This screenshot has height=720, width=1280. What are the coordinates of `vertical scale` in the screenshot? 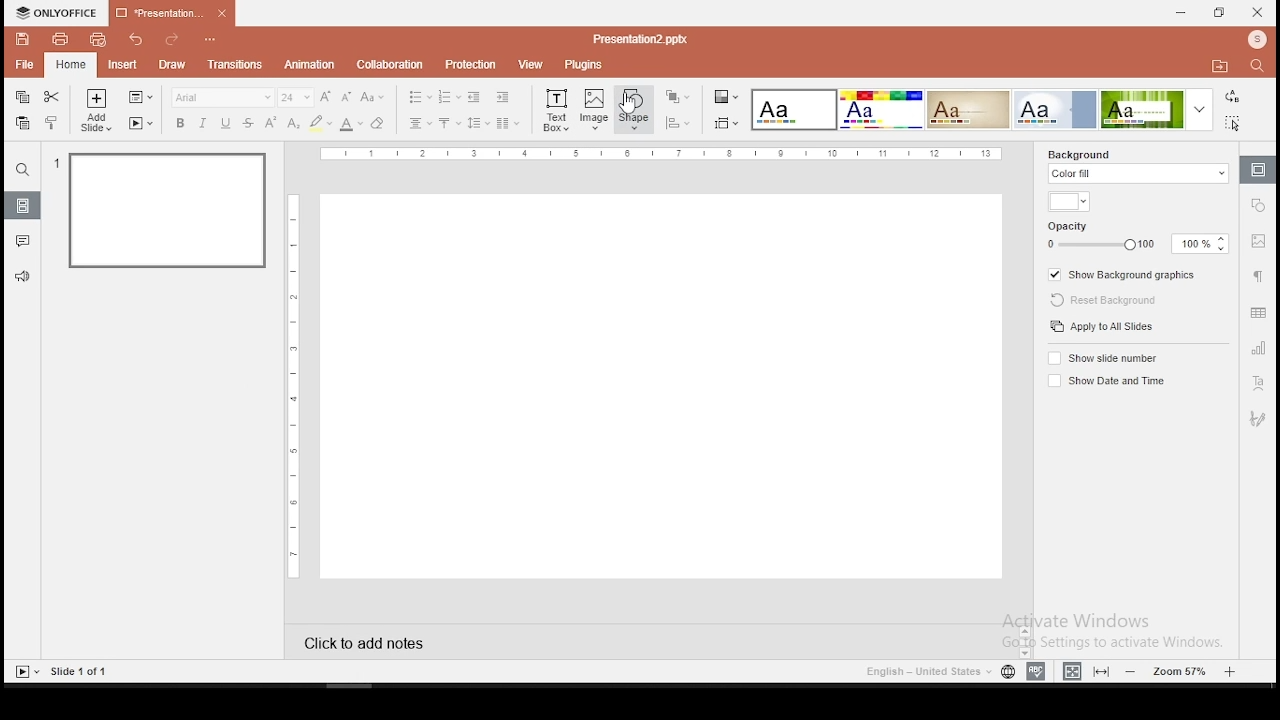 It's located at (297, 383).